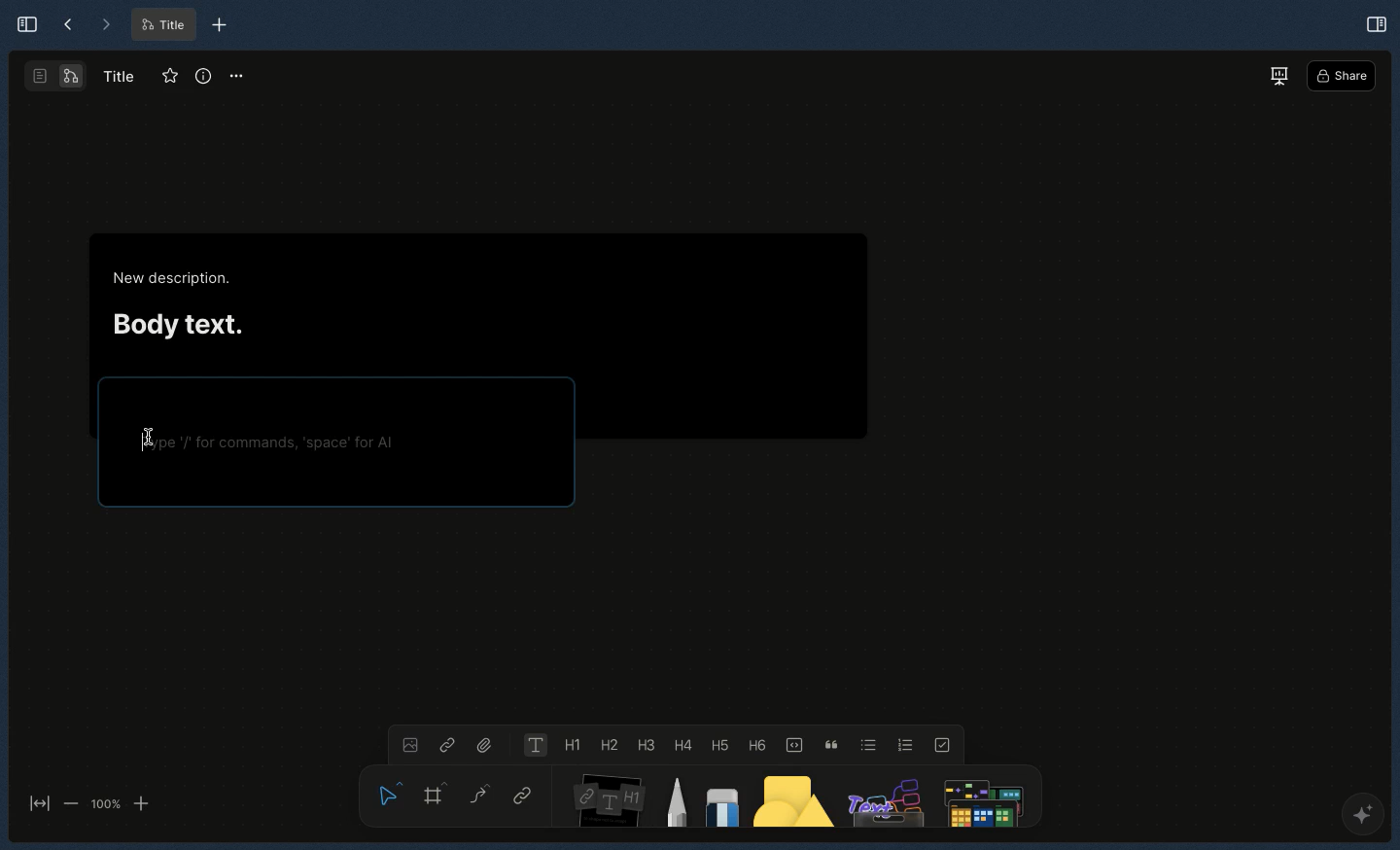 Image resolution: width=1400 pixels, height=850 pixels. I want to click on Title, so click(117, 75).